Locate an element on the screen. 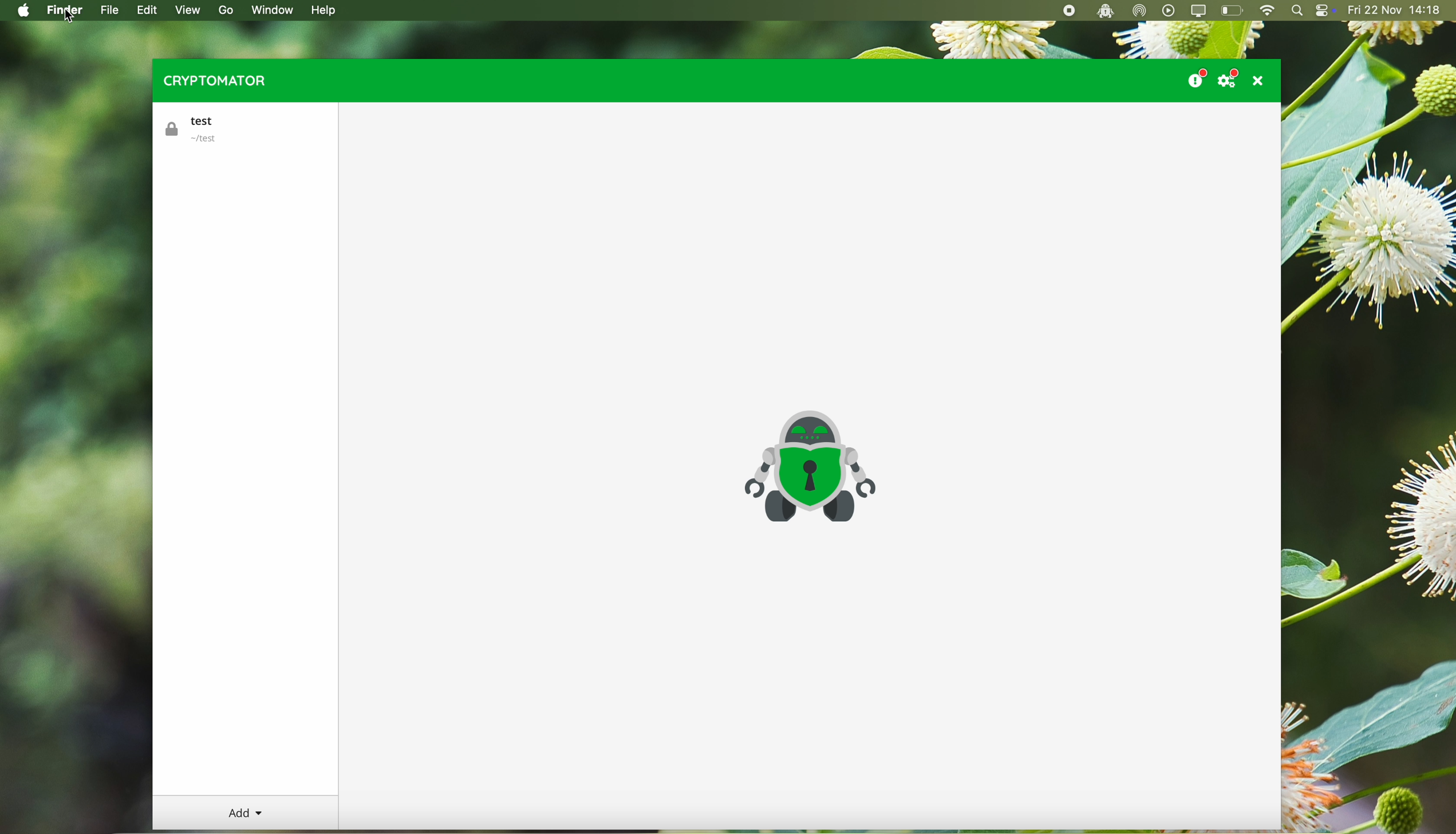 The image size is (1456, 834). Cursor is located at coordinates (69, 15).